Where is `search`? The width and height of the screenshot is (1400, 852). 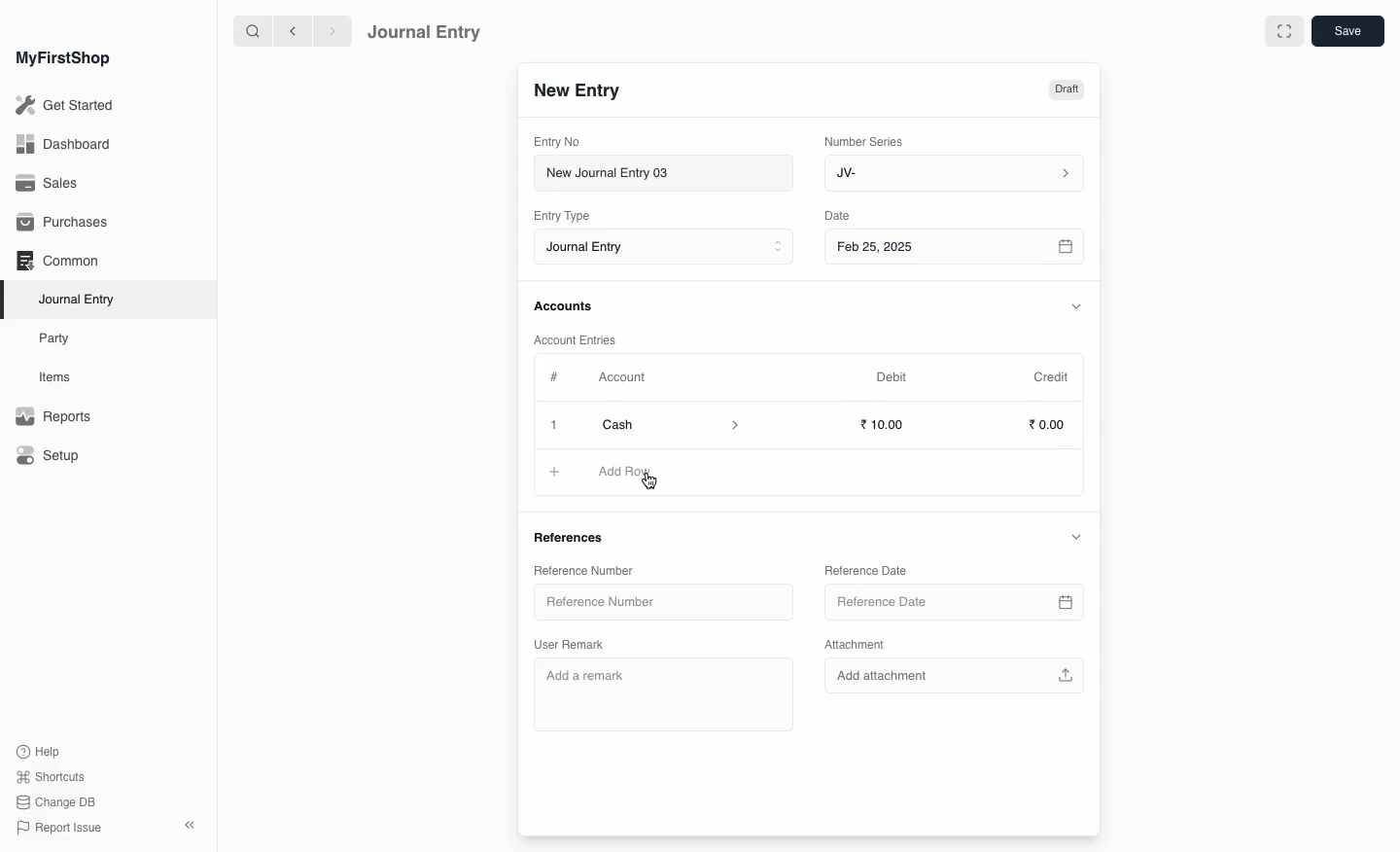
search is located at coordinates (248, 31).